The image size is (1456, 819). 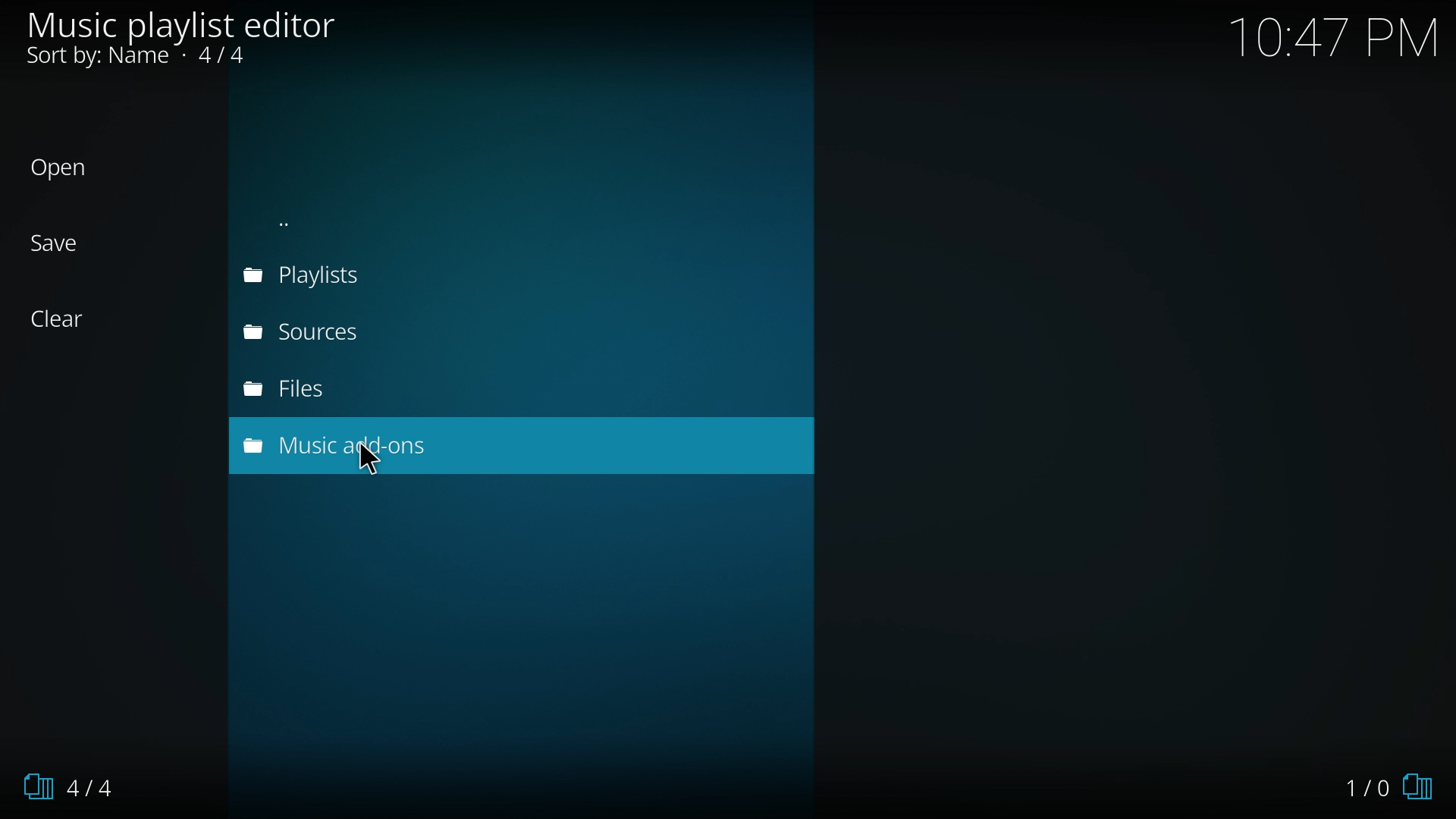 What do you see at coordinates (71, 169) in the screenshot?
I see `Open` at bounding box center [71, 169].